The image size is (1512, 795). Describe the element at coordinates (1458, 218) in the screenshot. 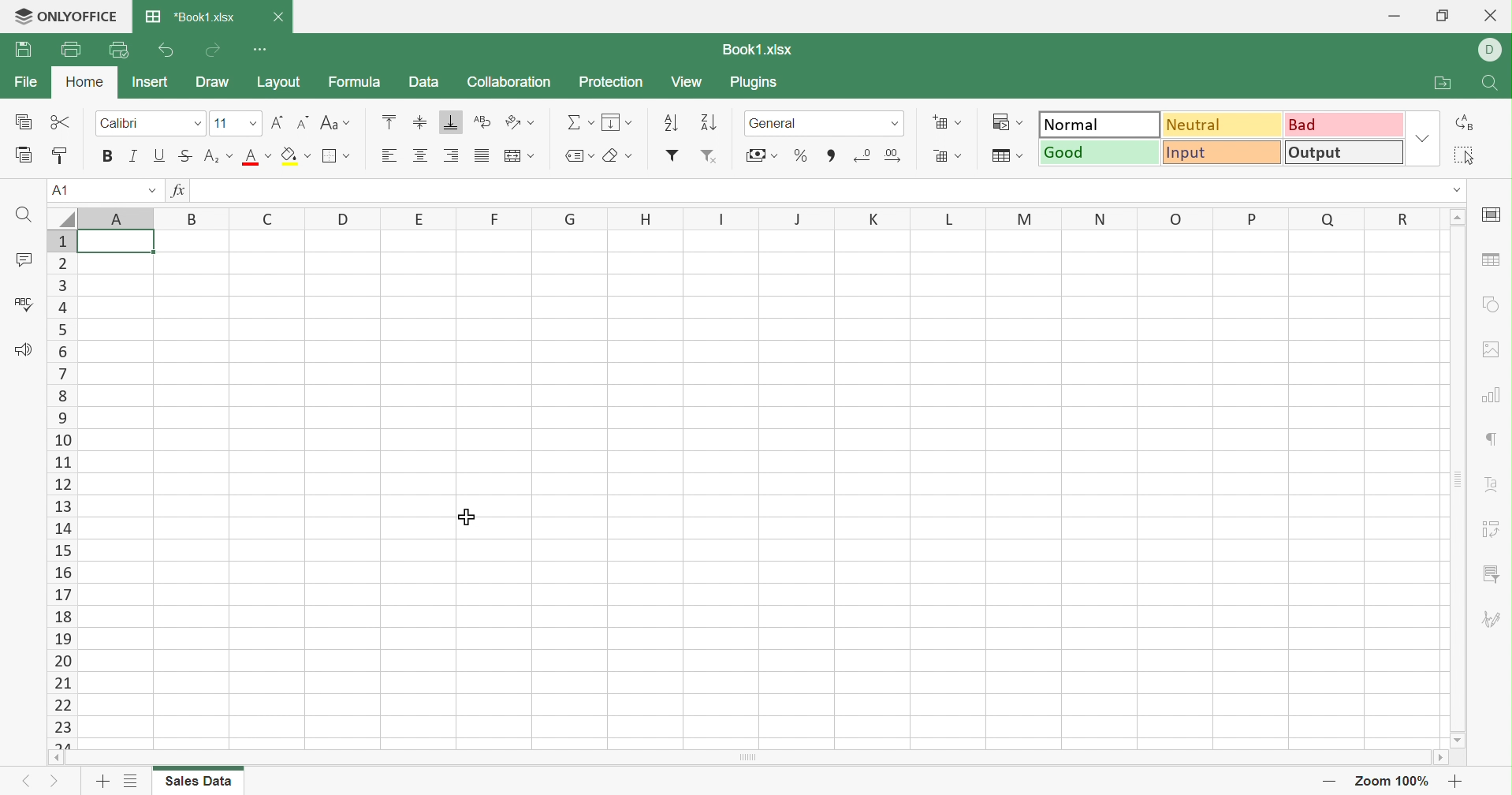

I see `Scroll Up` at that location.